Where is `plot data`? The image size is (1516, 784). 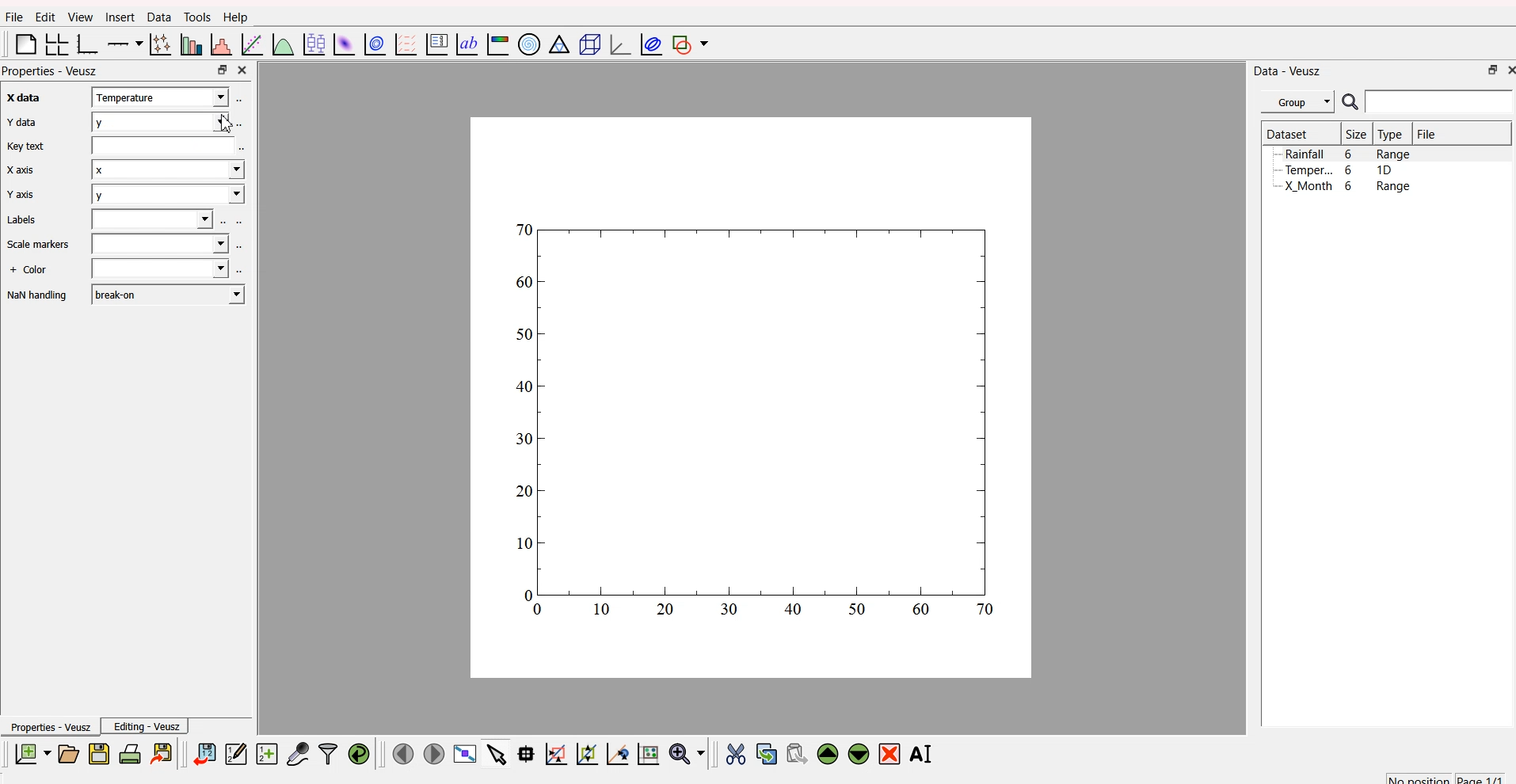 plot data is located at coordinates (373, 44).